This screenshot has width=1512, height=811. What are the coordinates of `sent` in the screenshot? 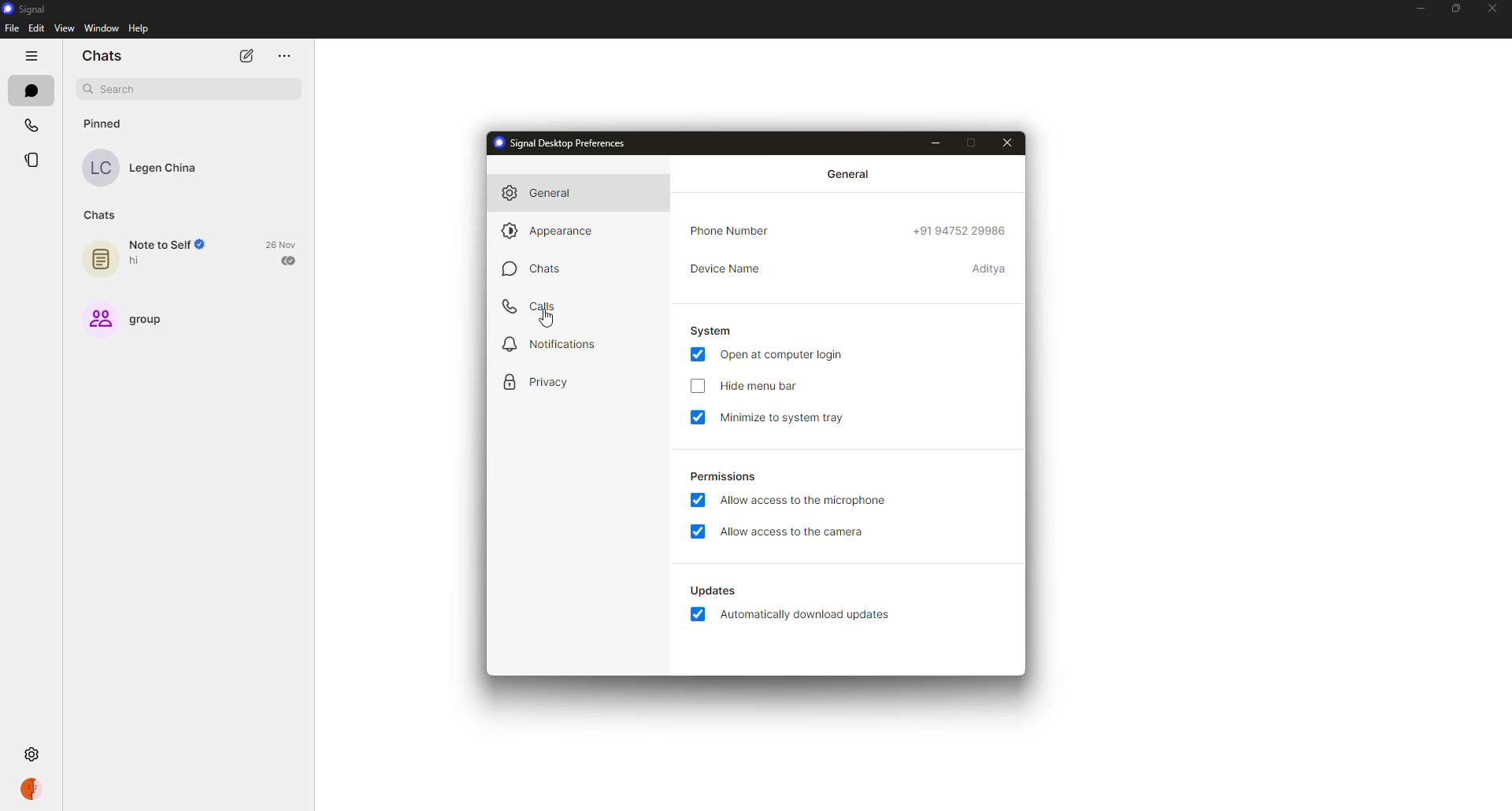 It's located at (287, 261).